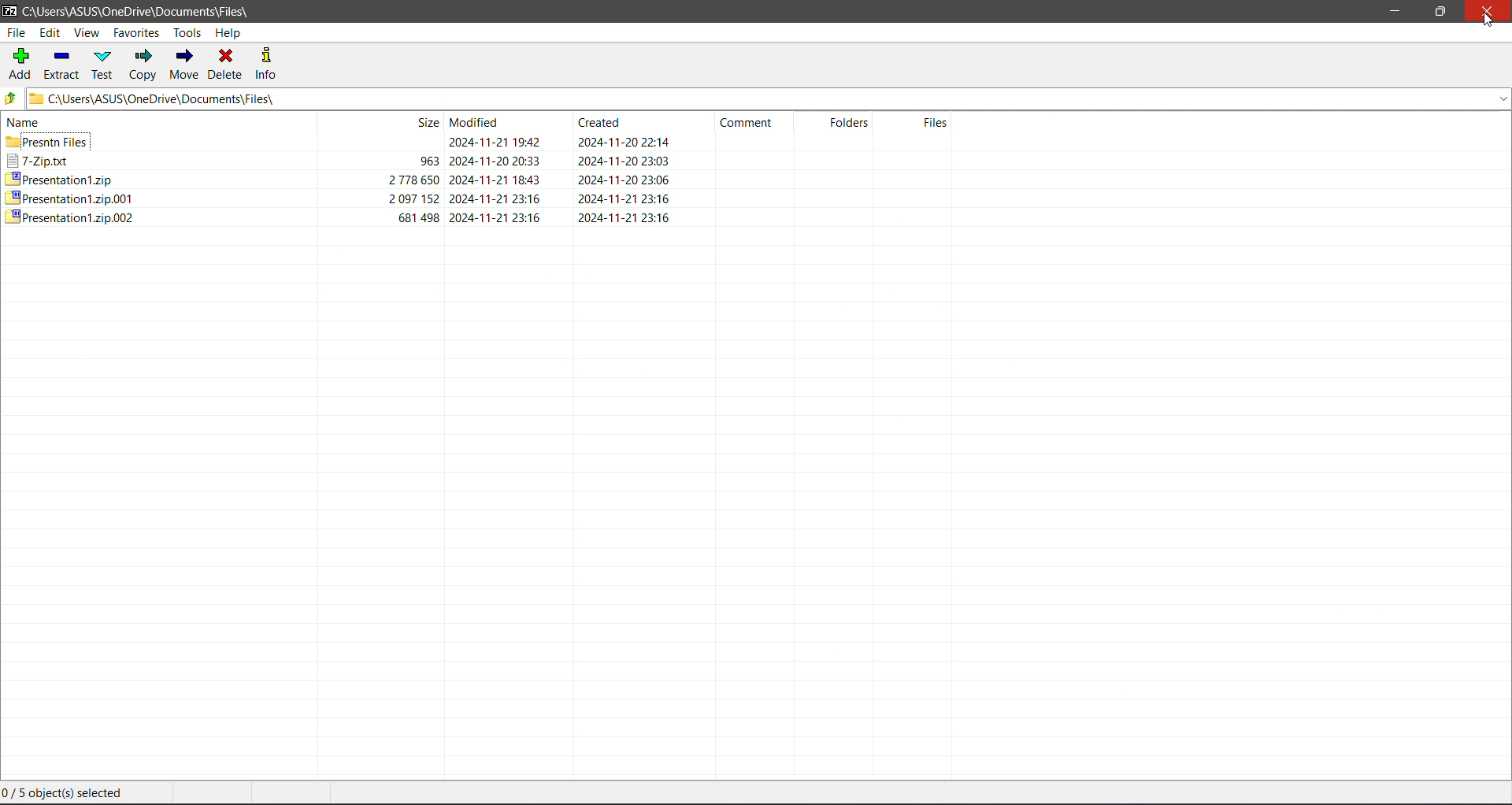 The width and height of the screenshot is (1512, 805). What do you see at coordinates (851, 121) in the screenshot?
I see `Folders` at bounding box center [851, 121].